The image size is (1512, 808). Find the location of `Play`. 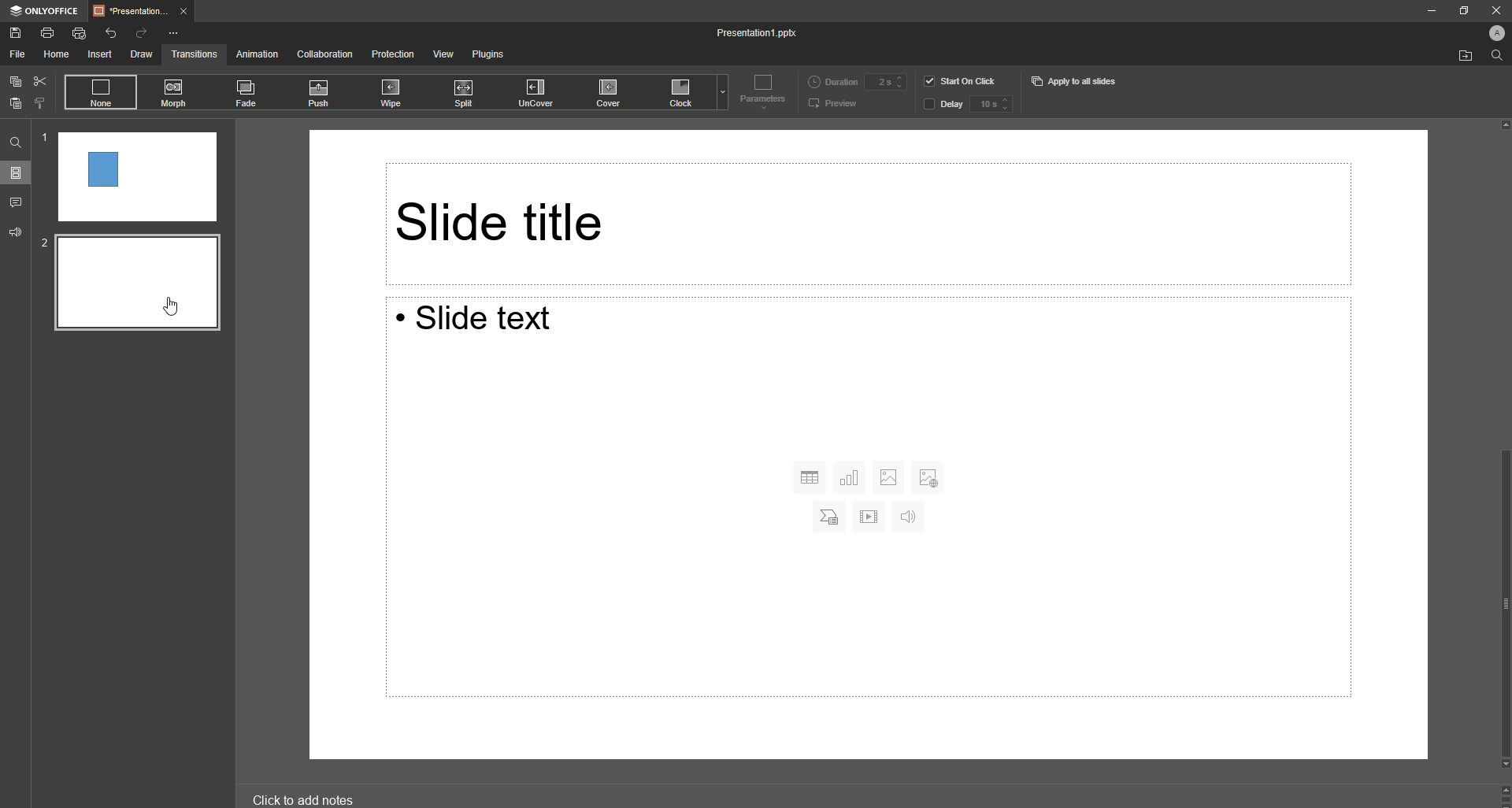

Play is located at coordinates (874, 517).